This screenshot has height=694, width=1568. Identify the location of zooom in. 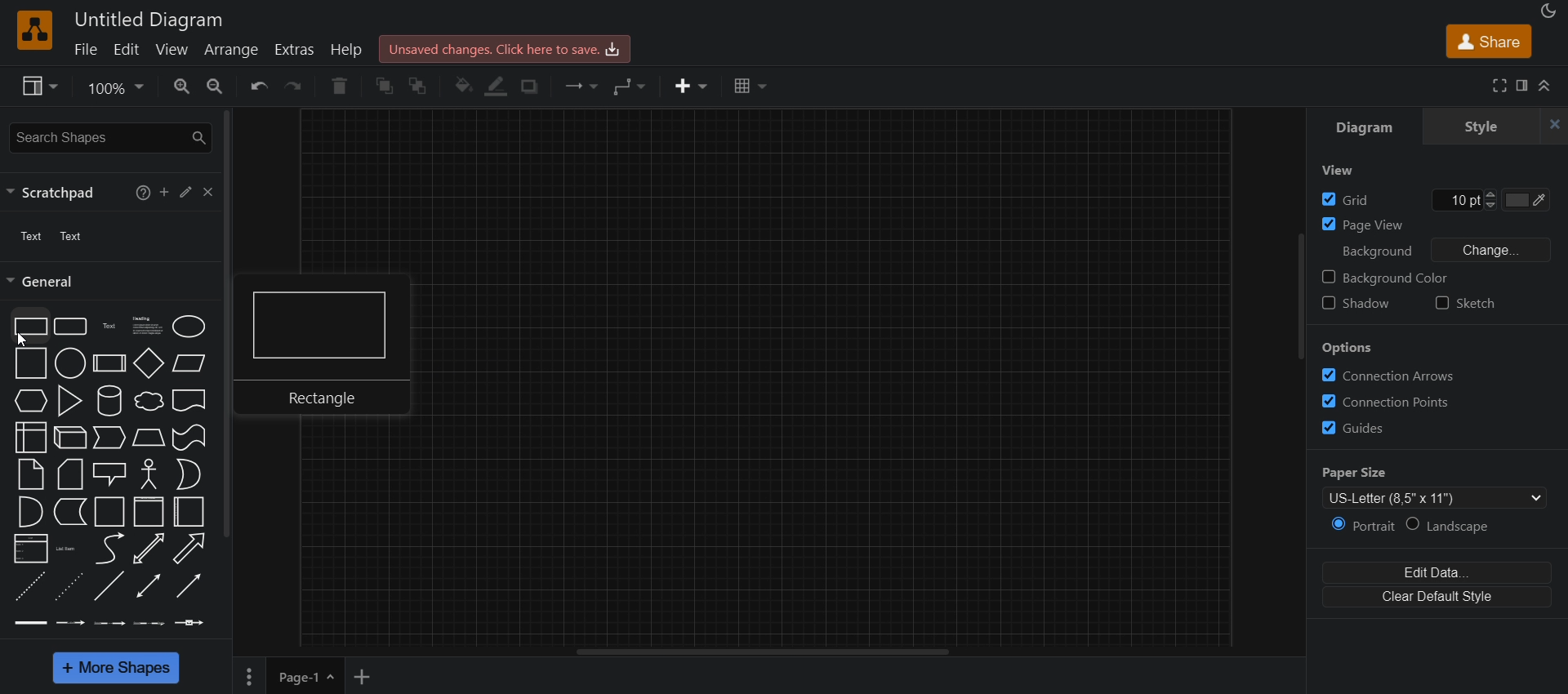
(182, 85).